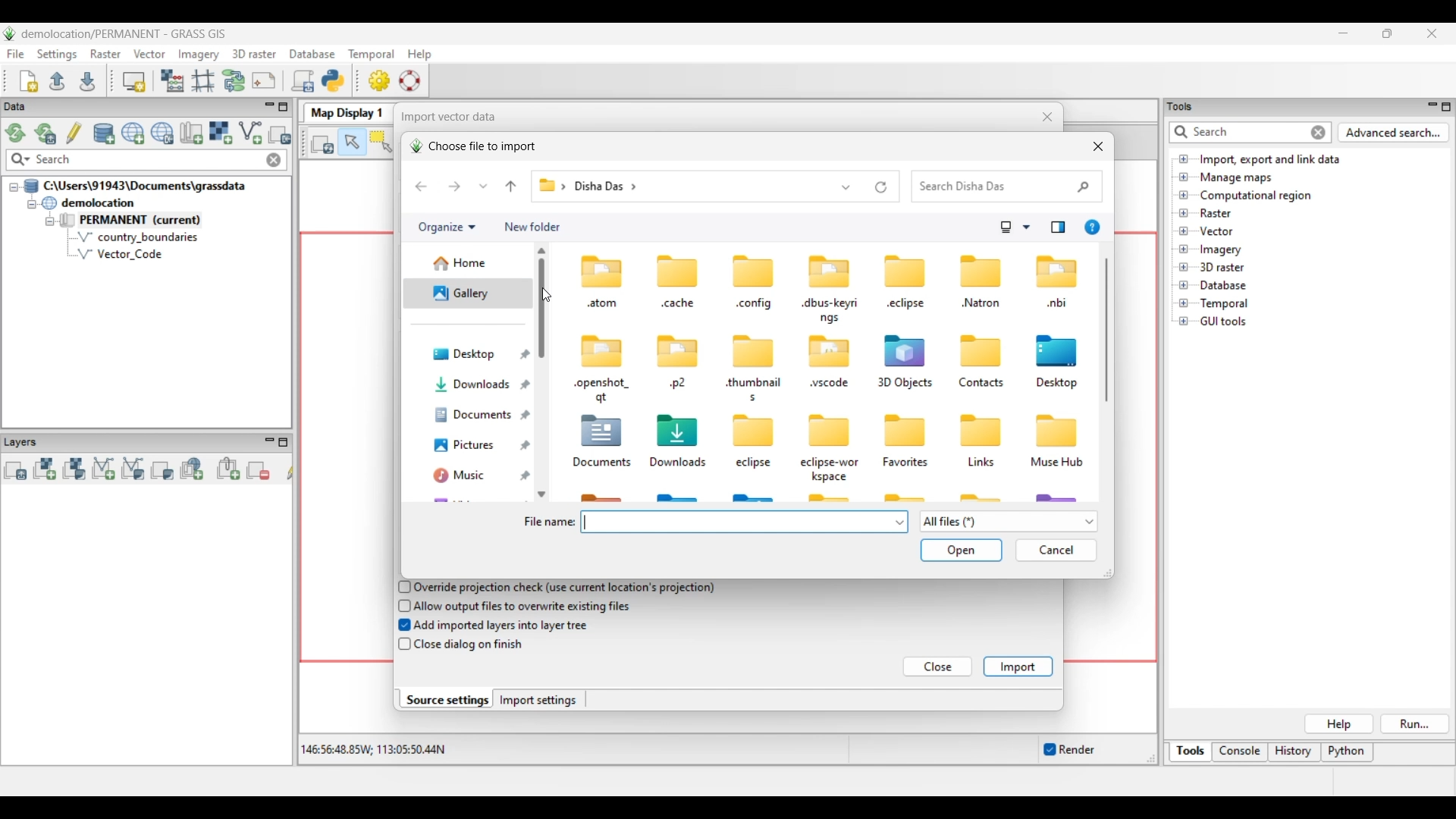 Image resolution: width=1456 pixels, height=819 pixels. What do you see at coordinates (830, 352) in the screenshot?
I see `icon` at bounding box center [830, 352].